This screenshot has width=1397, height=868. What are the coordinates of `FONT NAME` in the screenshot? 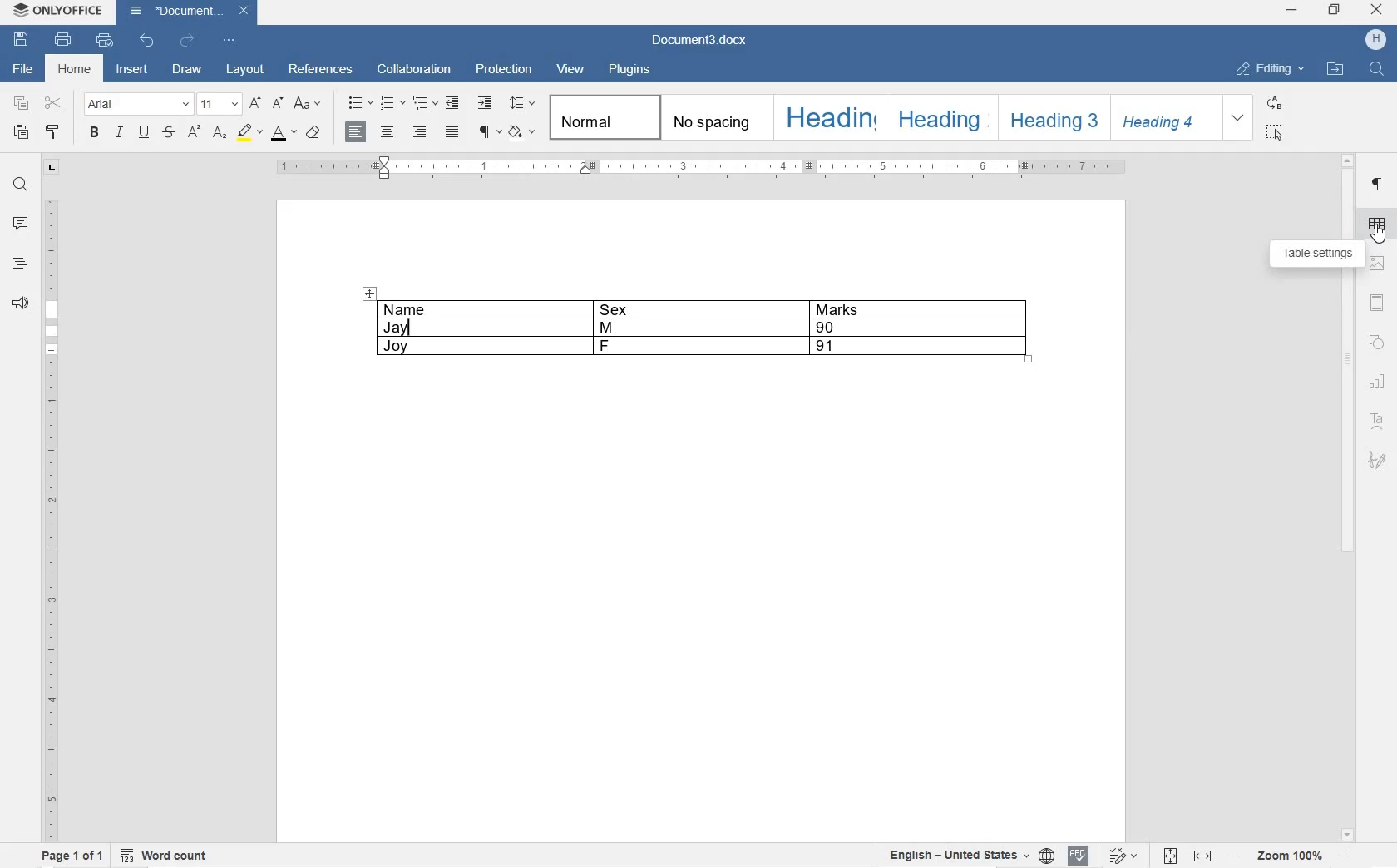 It's located at (137, 105).